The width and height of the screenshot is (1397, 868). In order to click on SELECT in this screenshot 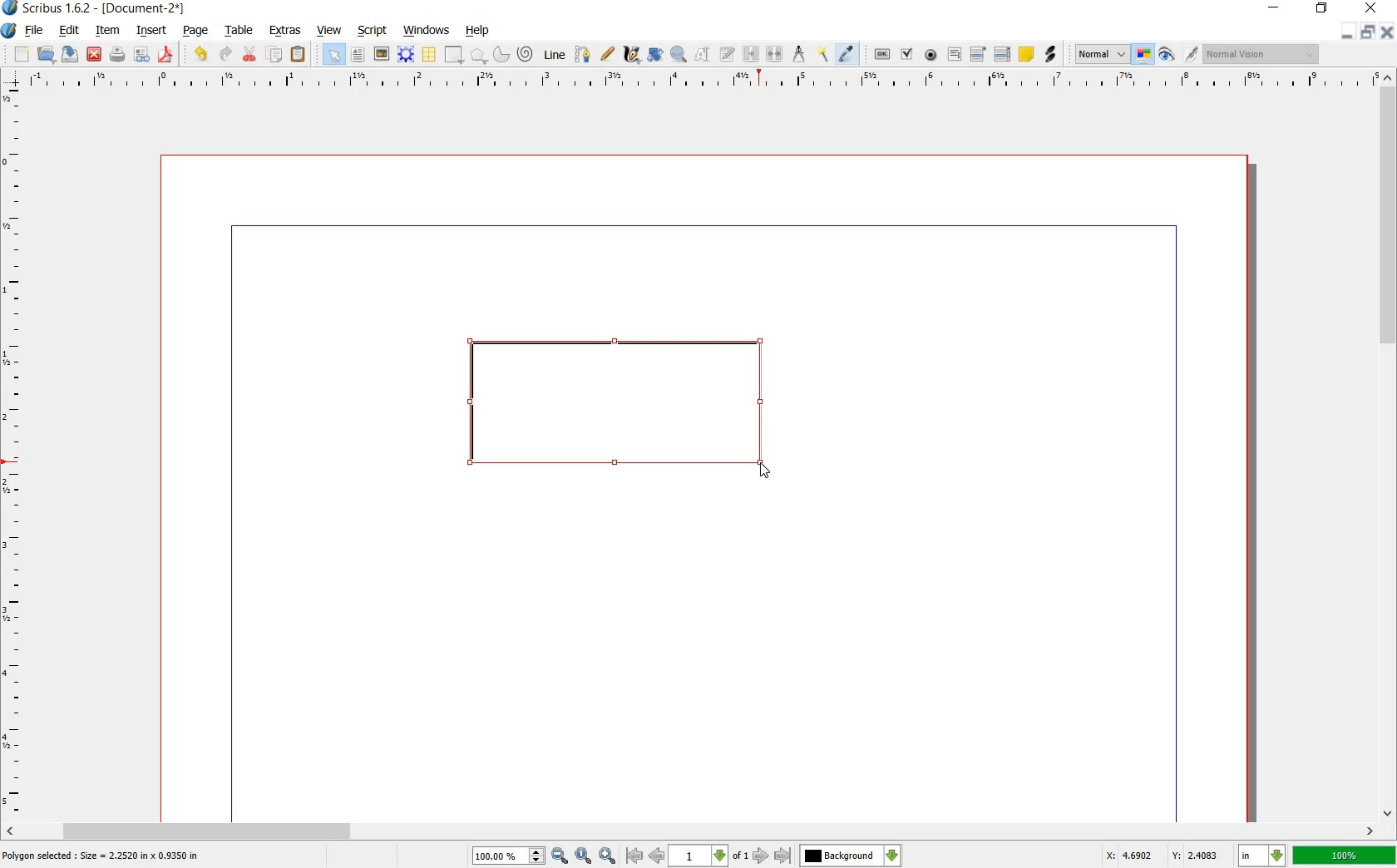, I will do `click(334, 56)`.